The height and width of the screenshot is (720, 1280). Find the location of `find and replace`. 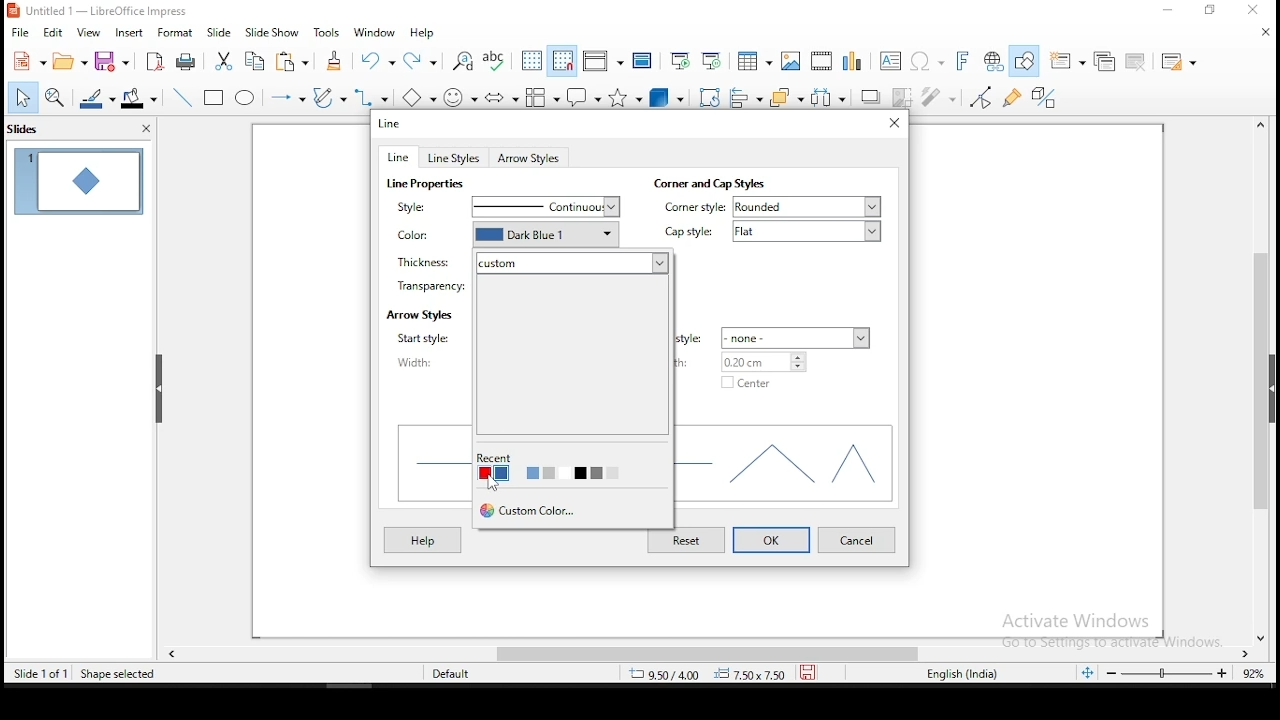

find and replace is located at coordinates (463, 59).